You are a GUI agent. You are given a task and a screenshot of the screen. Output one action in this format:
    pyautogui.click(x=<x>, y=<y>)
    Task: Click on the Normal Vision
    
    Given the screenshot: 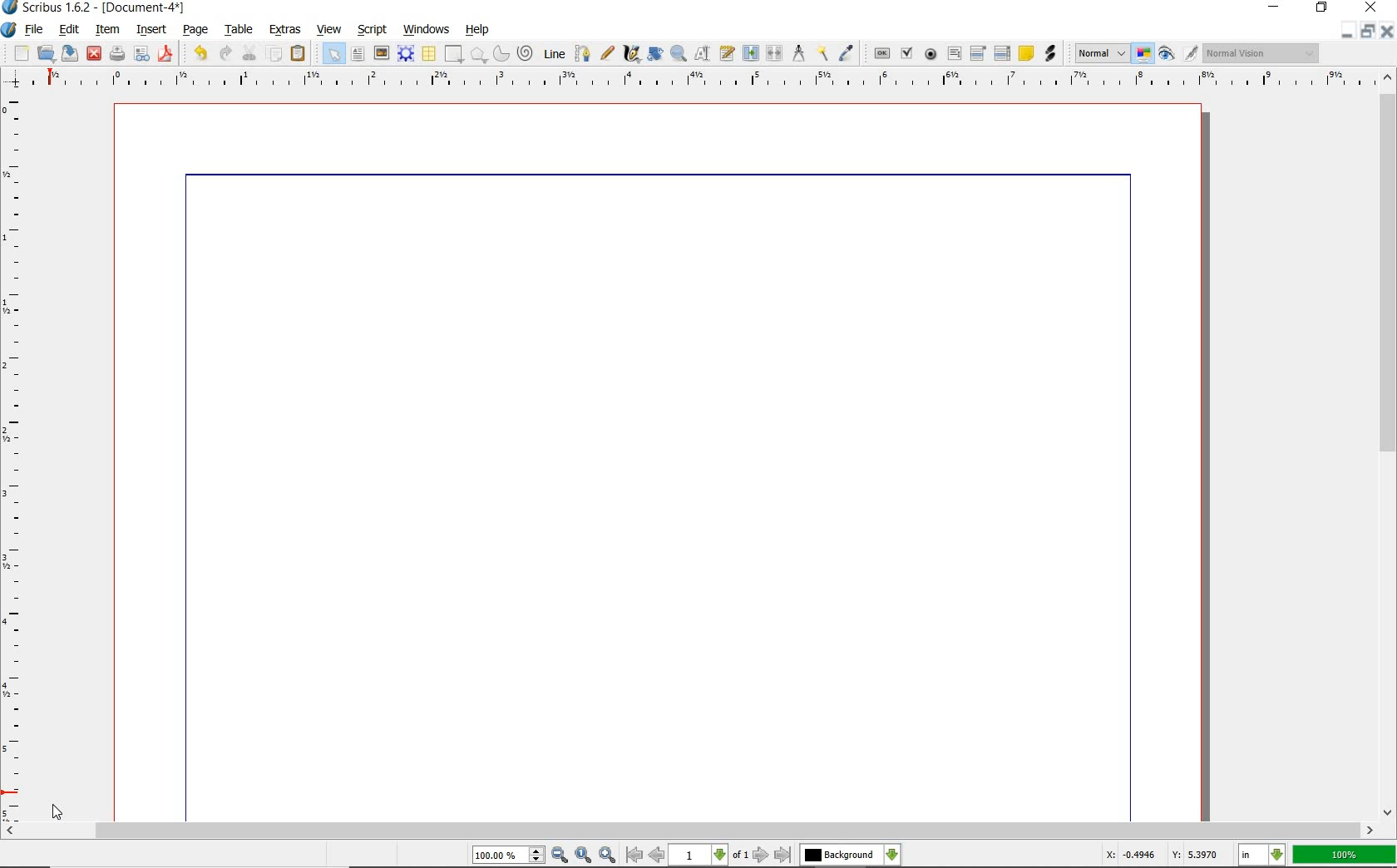 What is the action you would take?
    pyautogui.click(x=1262, y=55)
    